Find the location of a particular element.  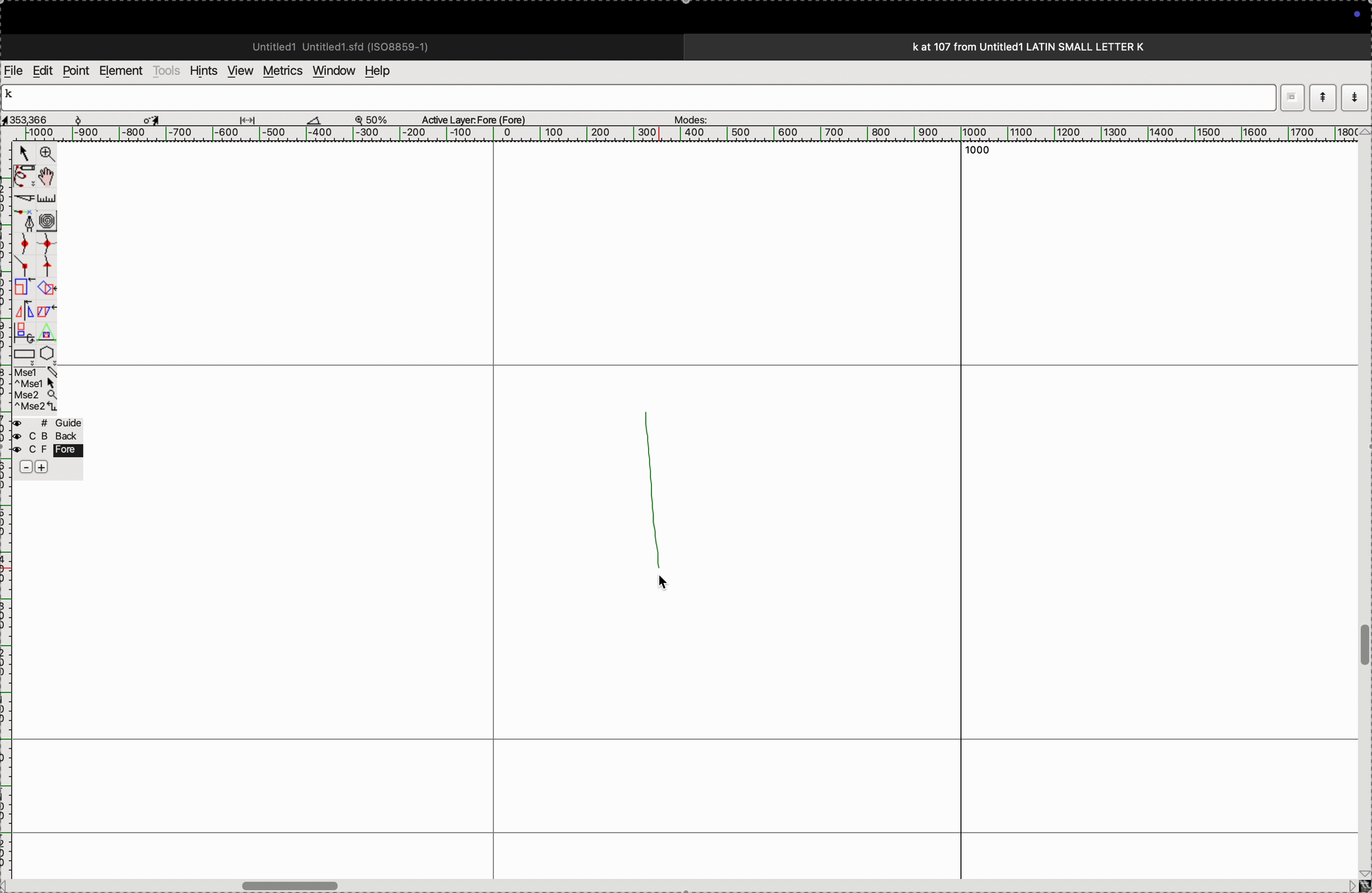

fountain pen is located at coordinates (28, 221).